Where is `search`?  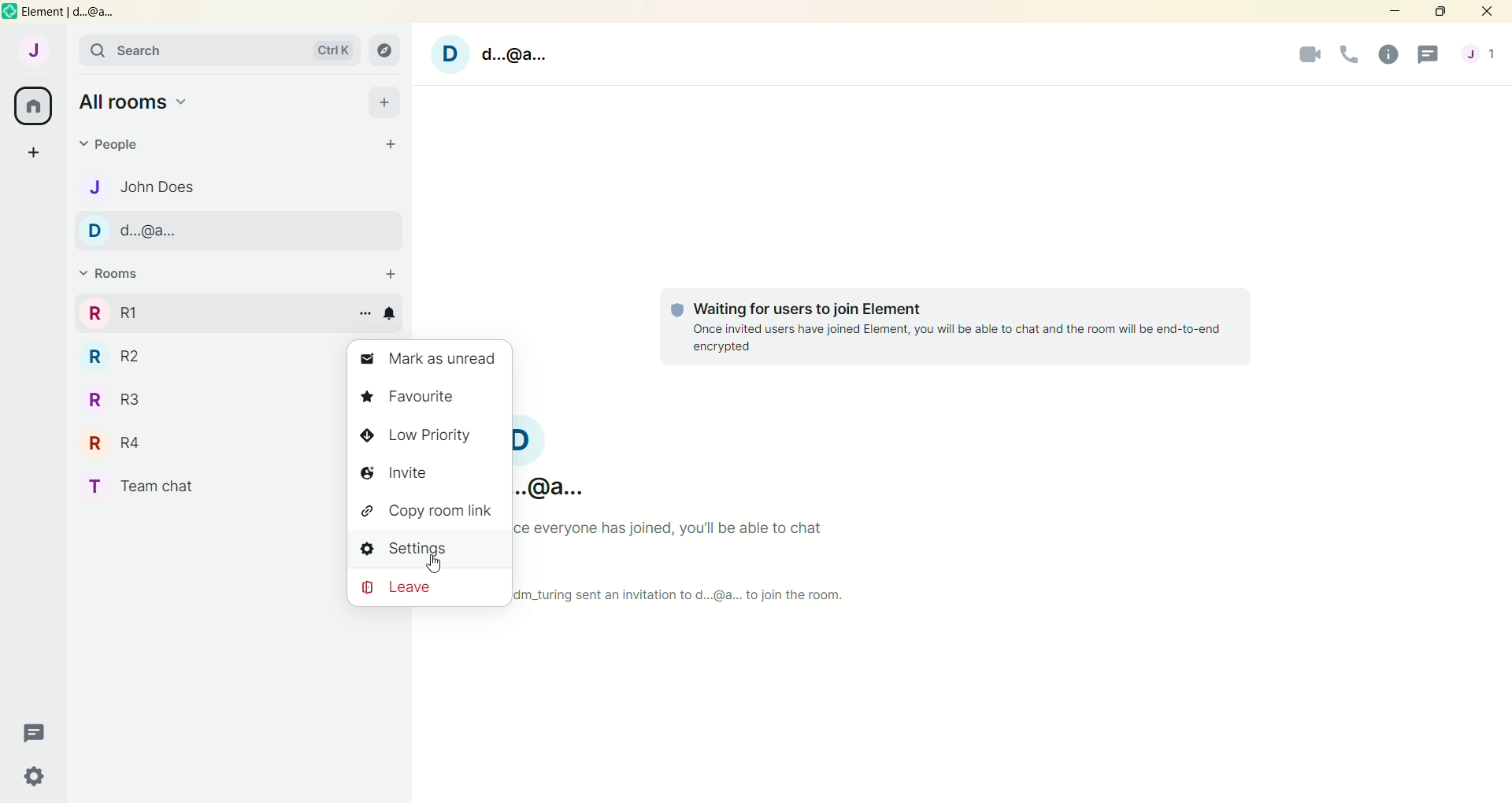
search is located at coordinates (219, 50).